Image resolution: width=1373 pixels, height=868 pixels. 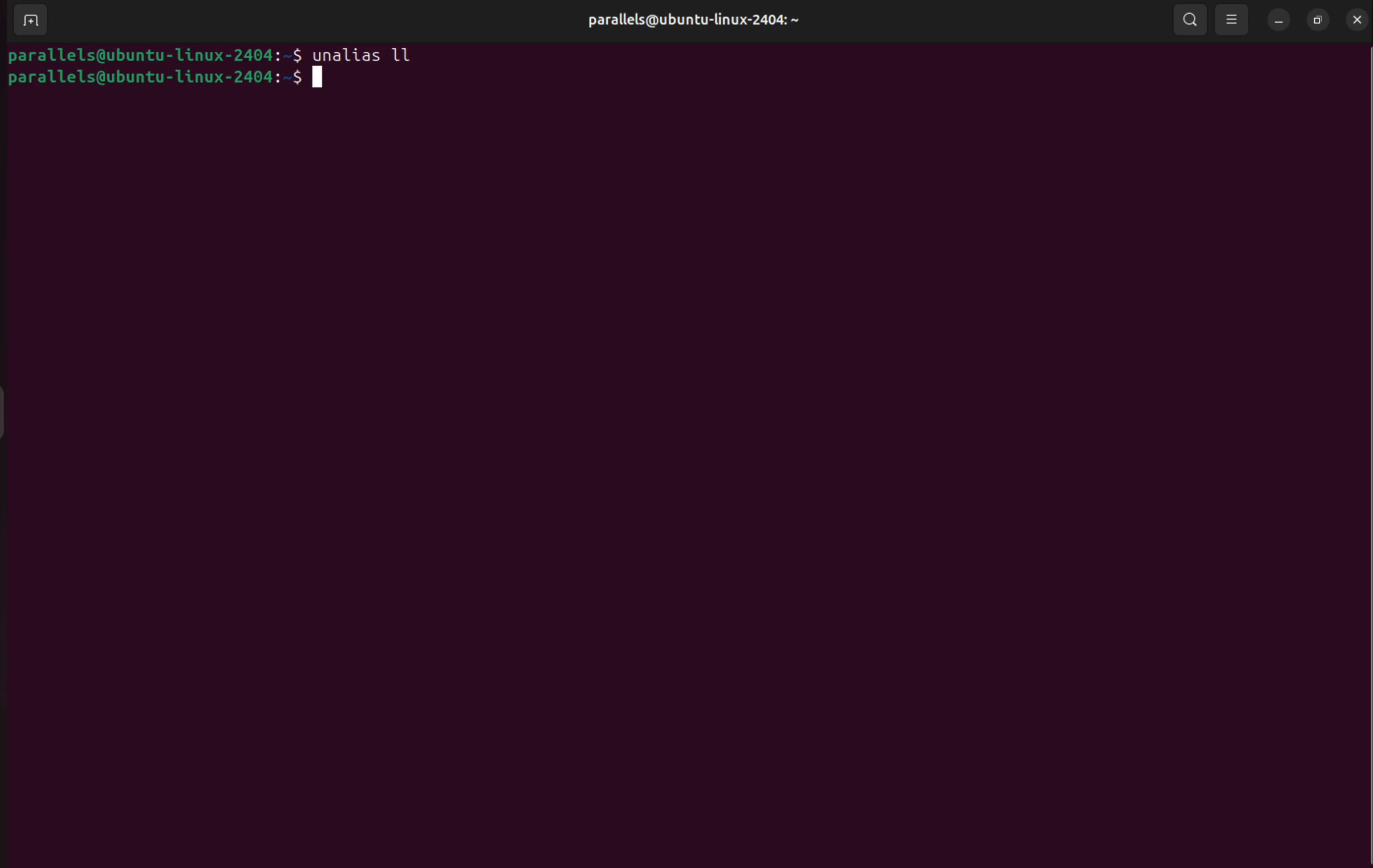 What do you see at coordinates (1233, 19) in the screenshot?
I see `view option` at bounding box center [1233, 19].